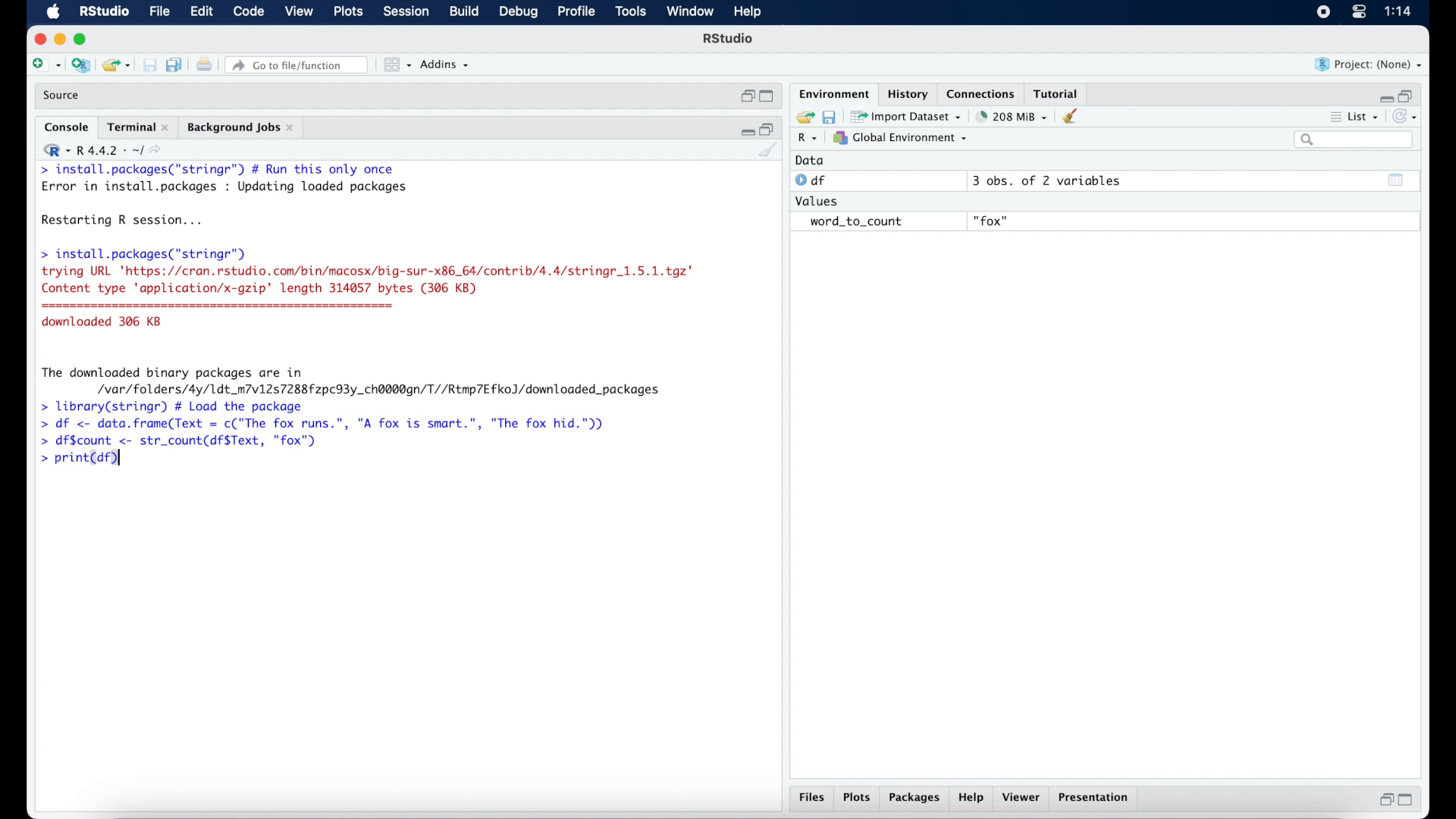  Describe the element at coordinates (463, 11) in the screenshot. I see `build` at that location.